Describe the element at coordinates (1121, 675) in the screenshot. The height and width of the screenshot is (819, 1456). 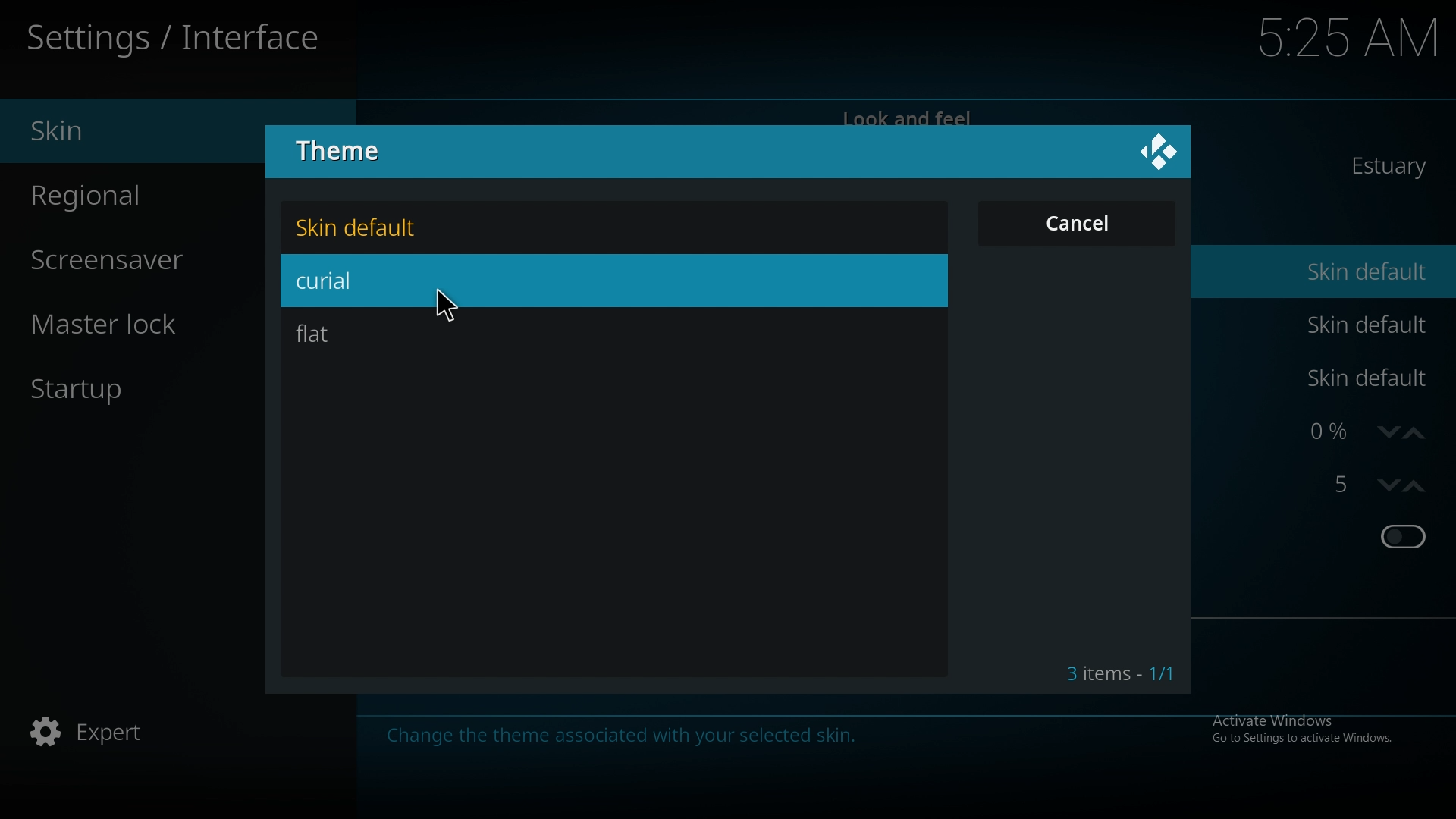
I see `items count` at that location.